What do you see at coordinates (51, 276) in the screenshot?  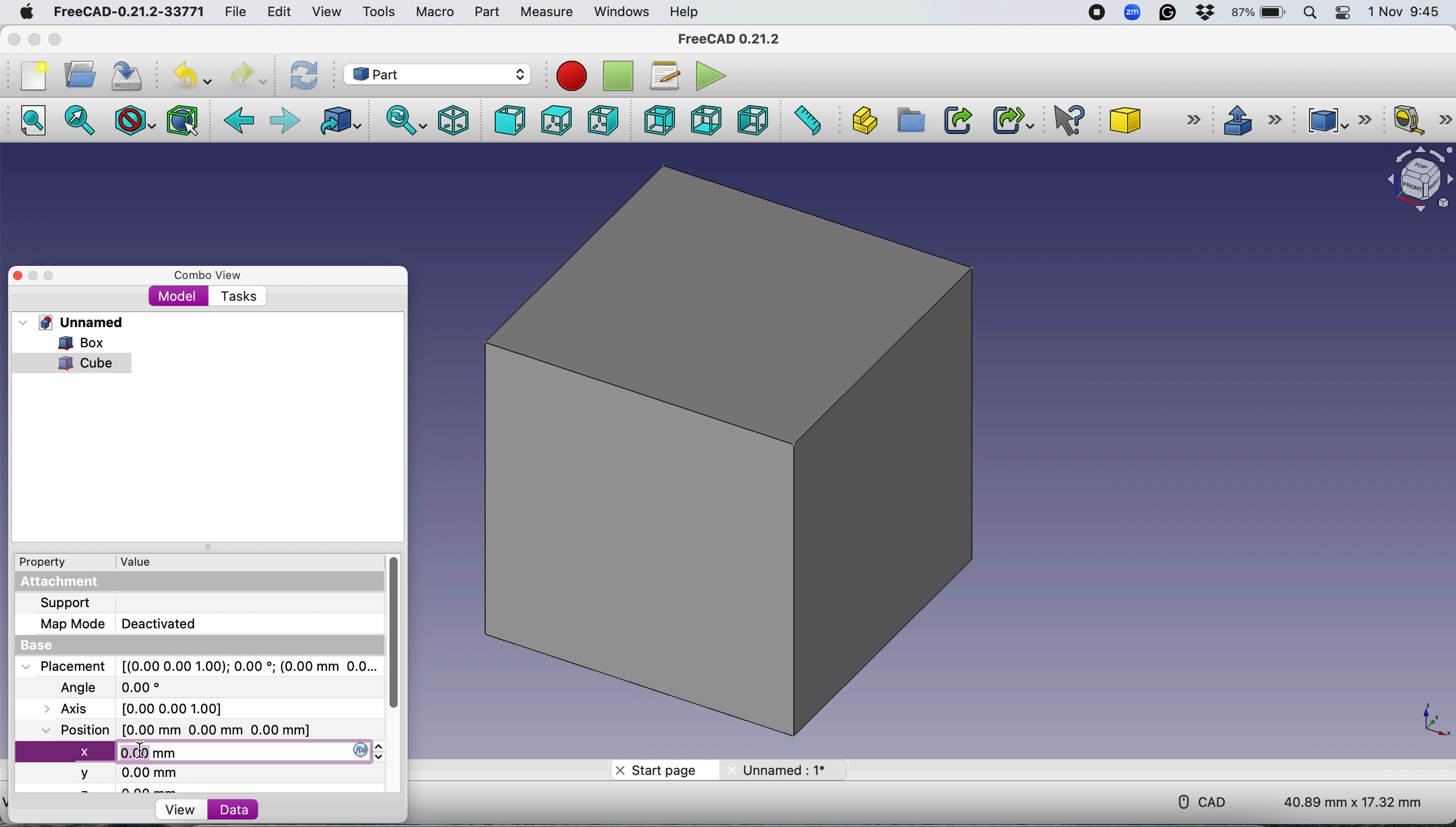 I see `Maximise` at bounding box center [51, 276].